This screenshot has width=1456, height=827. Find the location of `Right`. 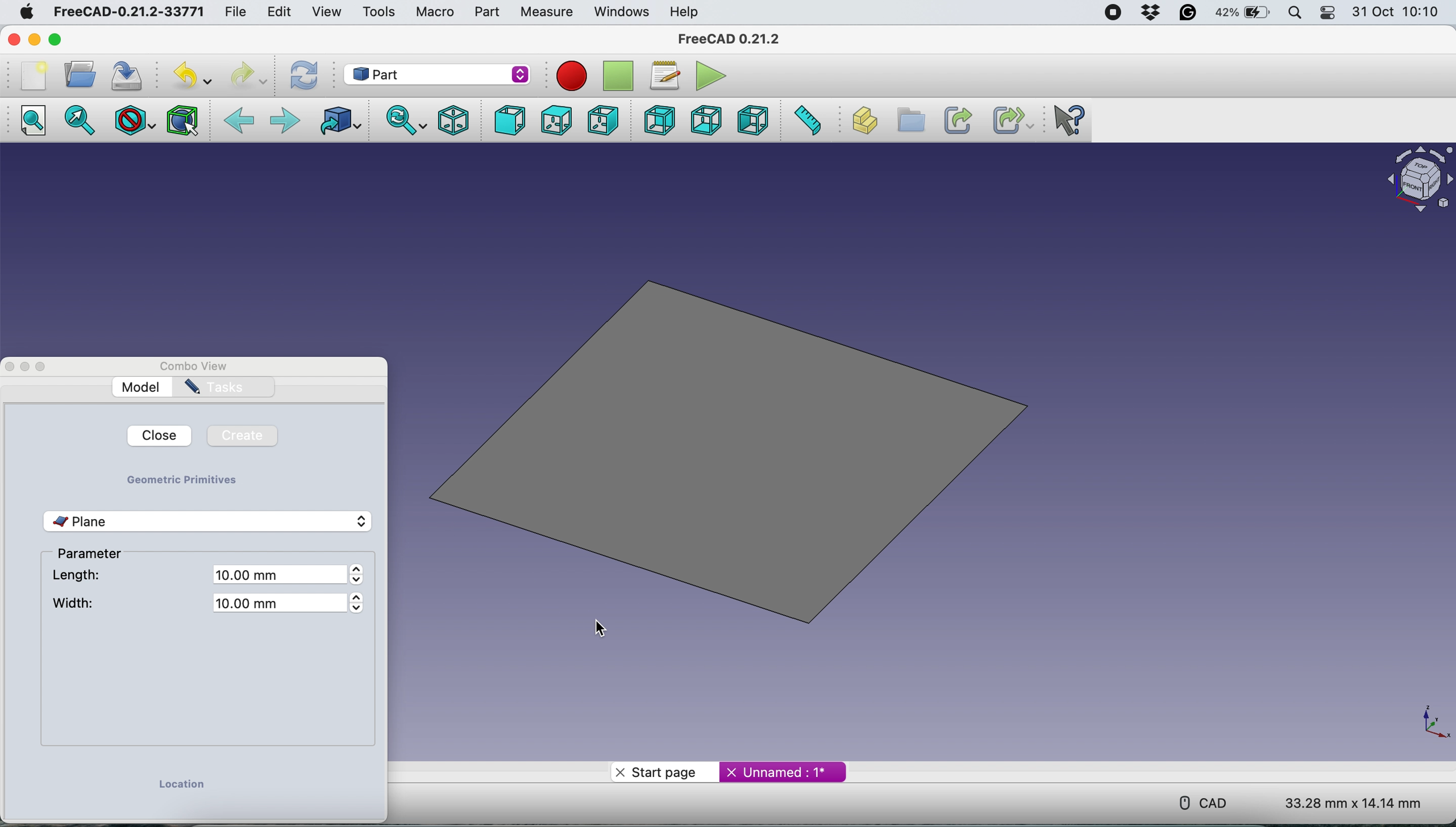

Right is located at coordinates (601, 119).